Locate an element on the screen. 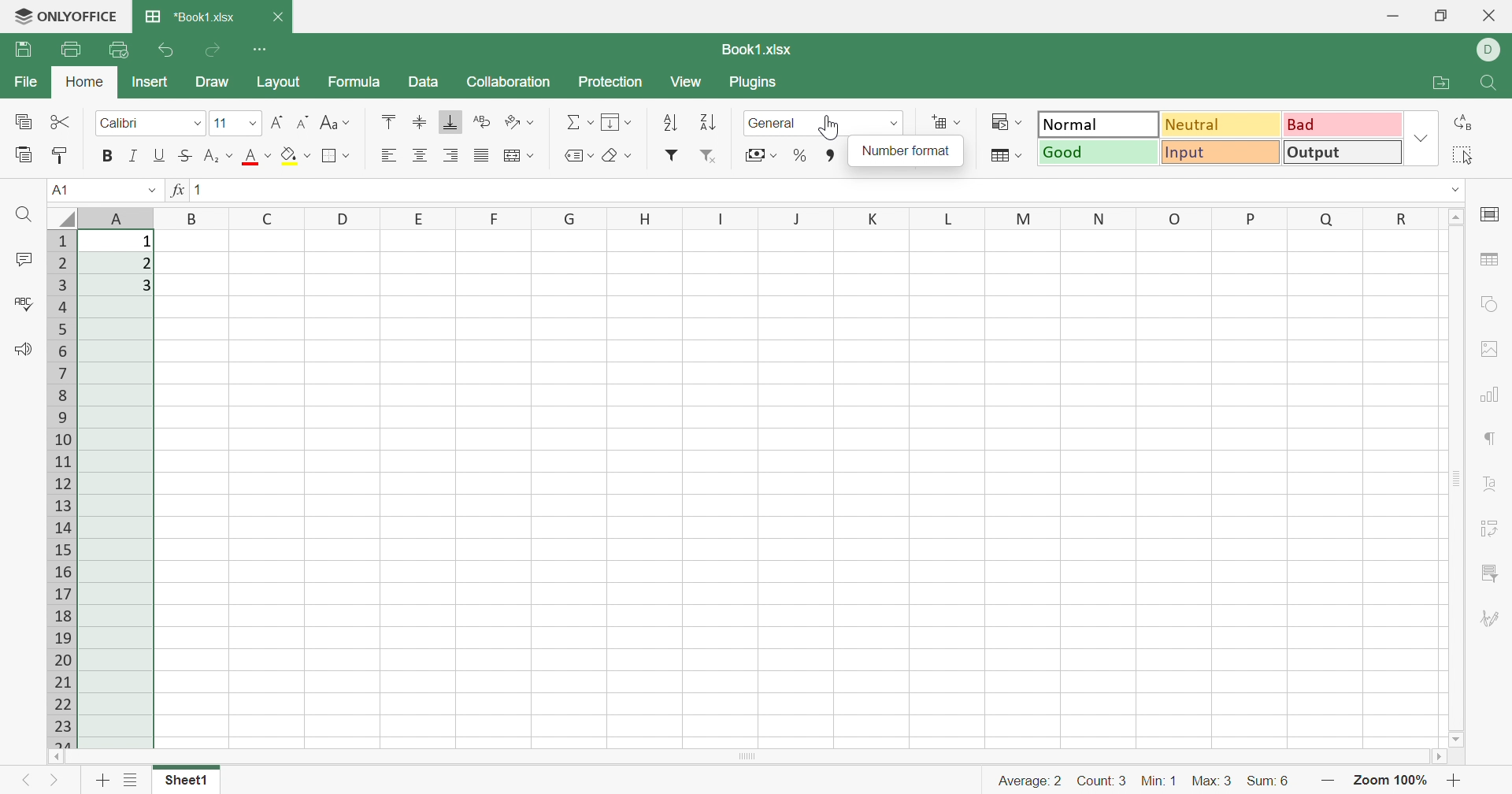 This screenshot has height=794, width=1512. Draw is located at coordinates (213, 83).